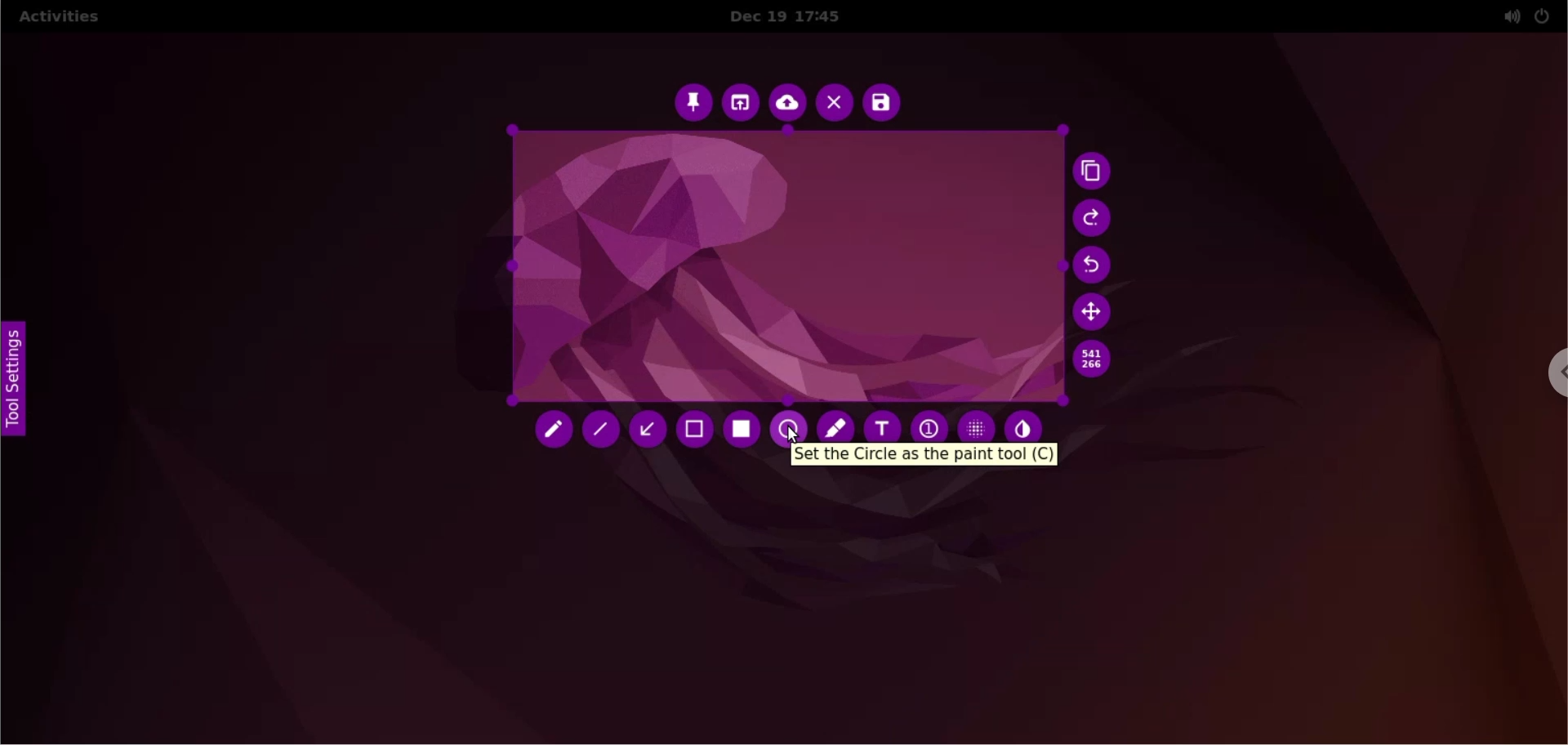 This screenshot has height=745, width=1568. Describe the element at coordinates (1098, 266) in the screenshot. I see `undo` at that location.